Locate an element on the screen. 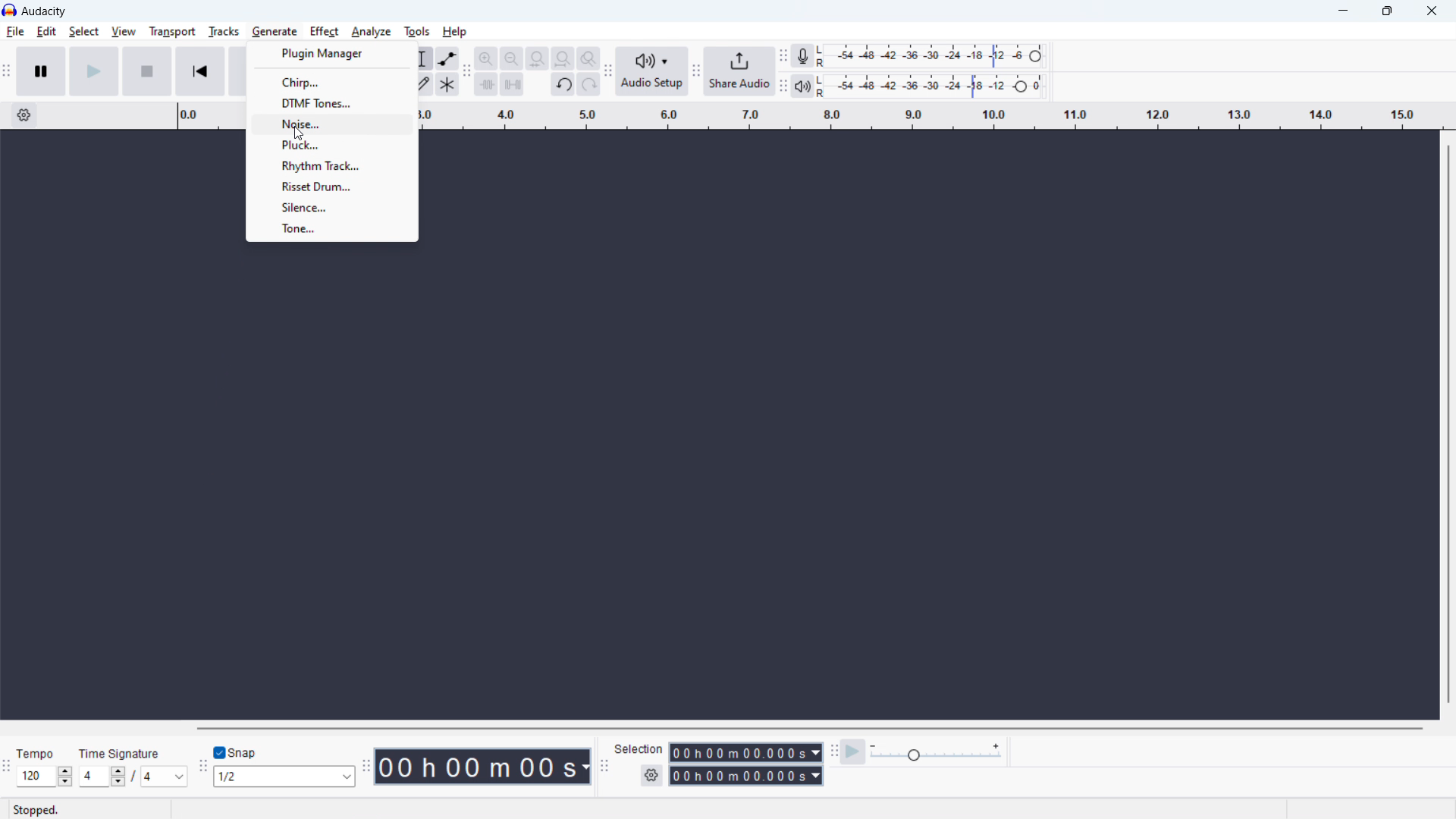 Image resolution: width=1456 pixels, height=819 pixels. set tempo is located at coordinates (44, 777).